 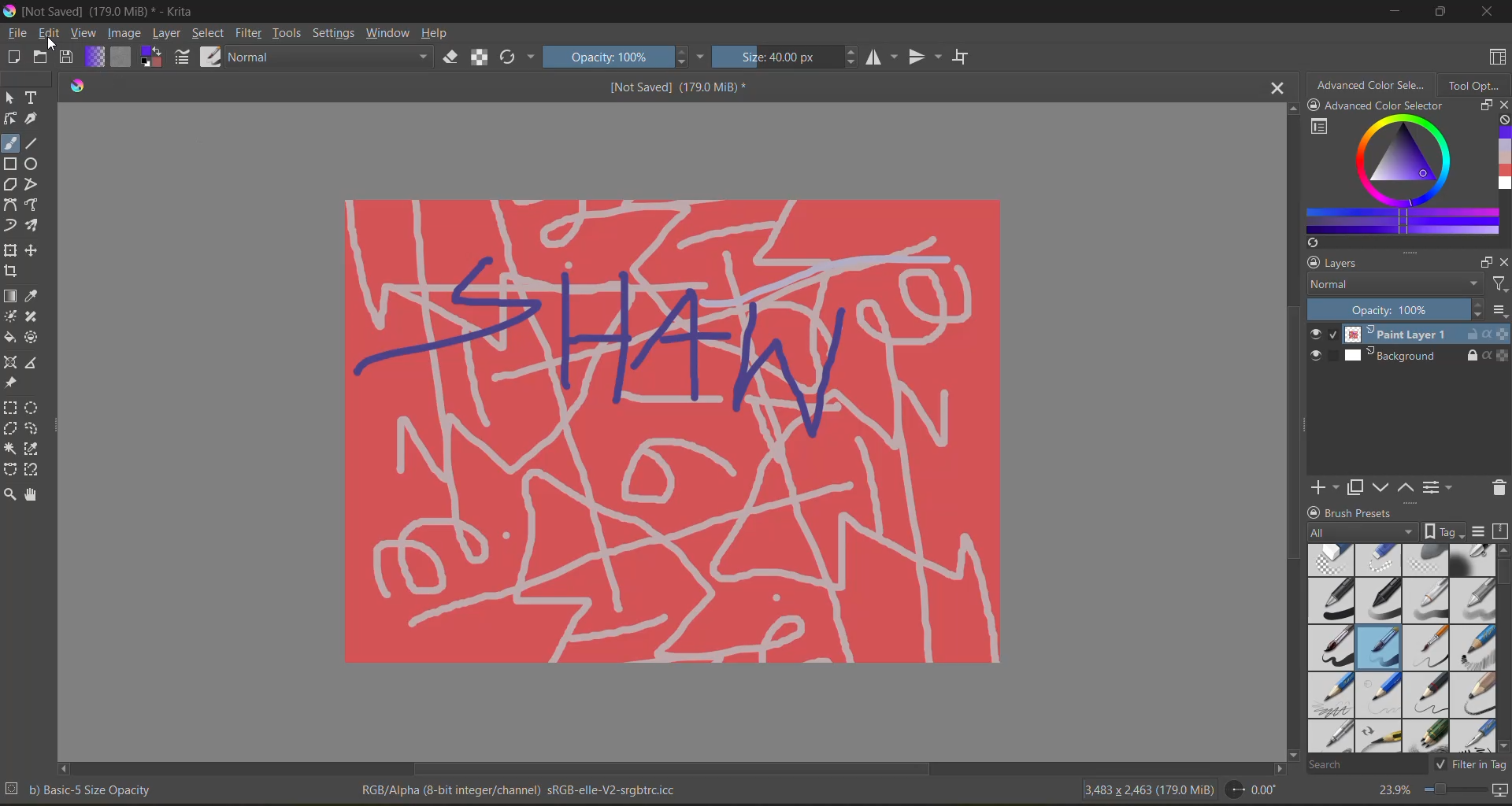 I want to click on open, so click(x=42, y=57).